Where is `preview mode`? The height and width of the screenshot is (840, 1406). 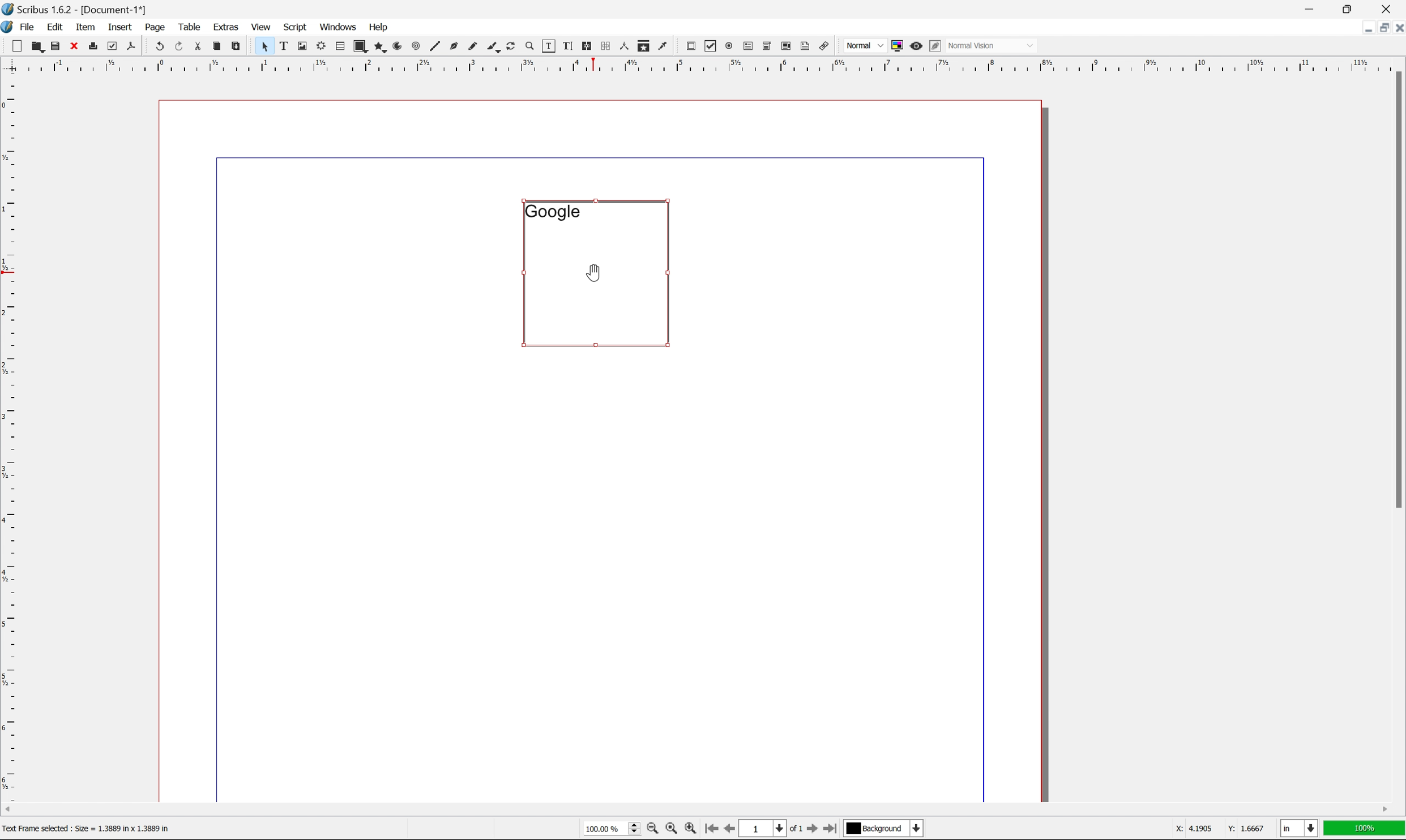
preview mode is located at coordinates (914, 45).